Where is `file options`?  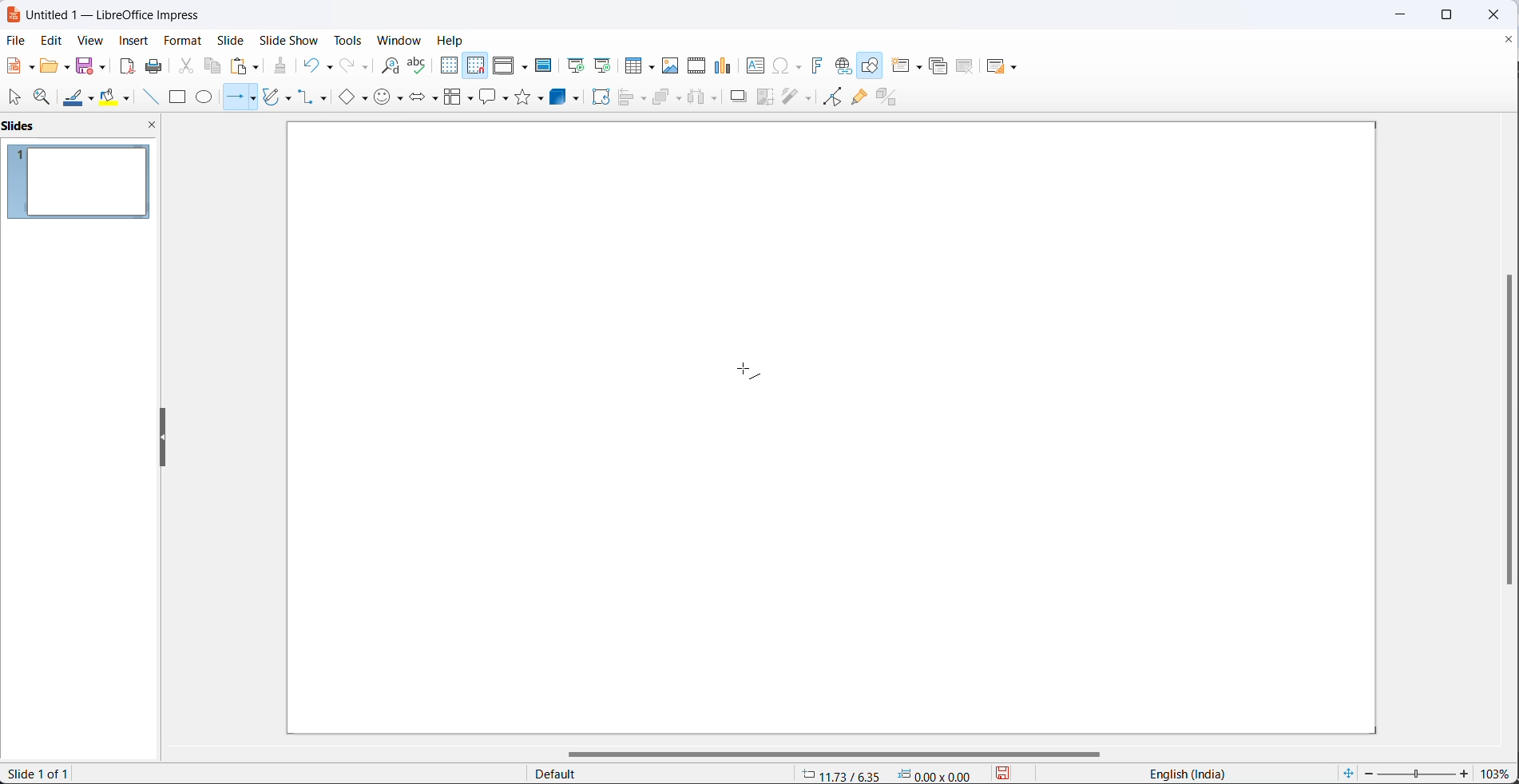 file options is located at coordinates (19, 66).